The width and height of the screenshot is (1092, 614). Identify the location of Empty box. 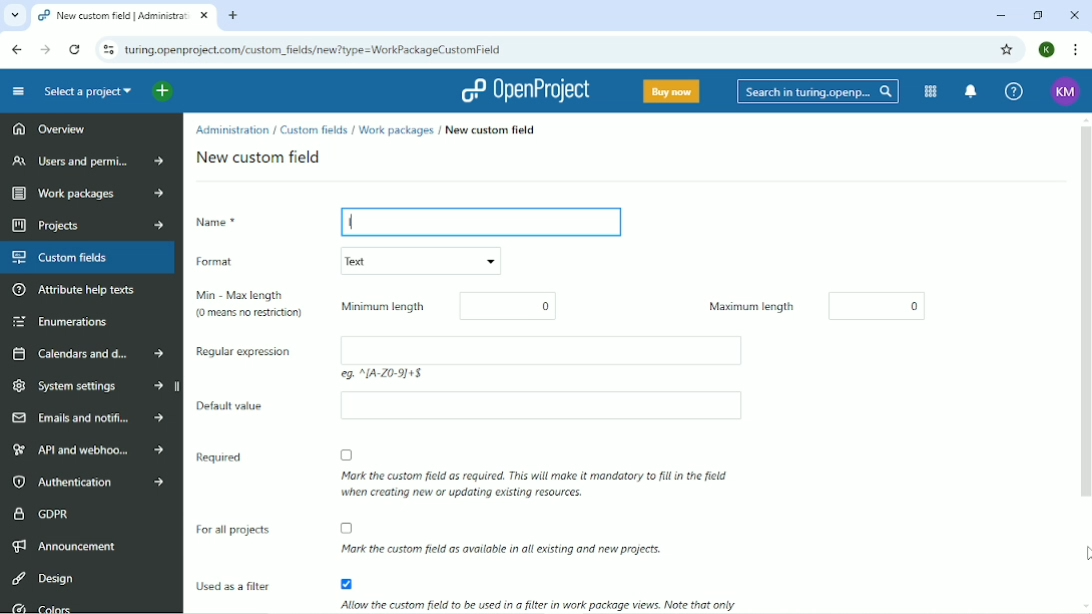
(555, 410).